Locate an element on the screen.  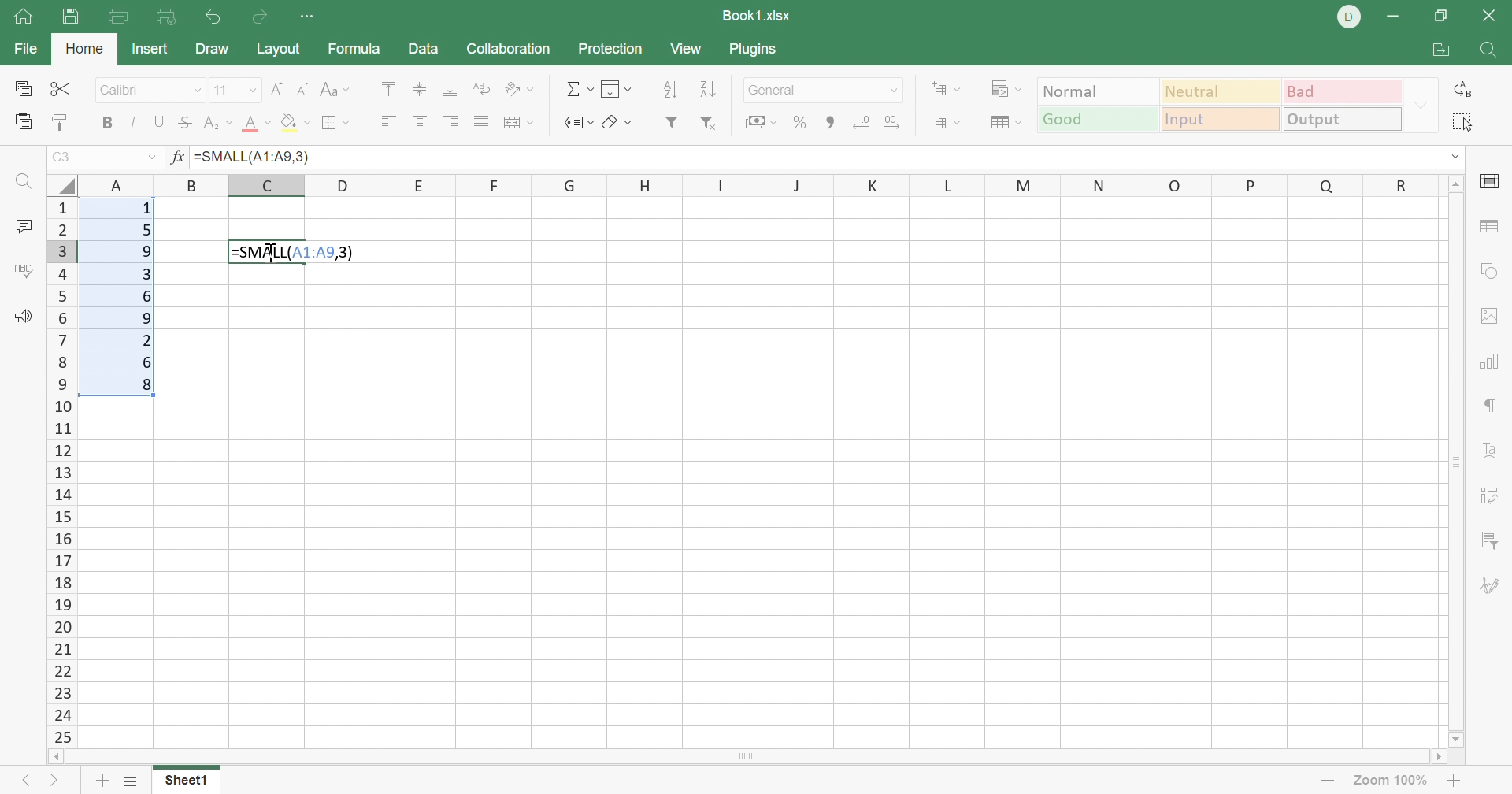
Draw is located at coordinates (211, 47).